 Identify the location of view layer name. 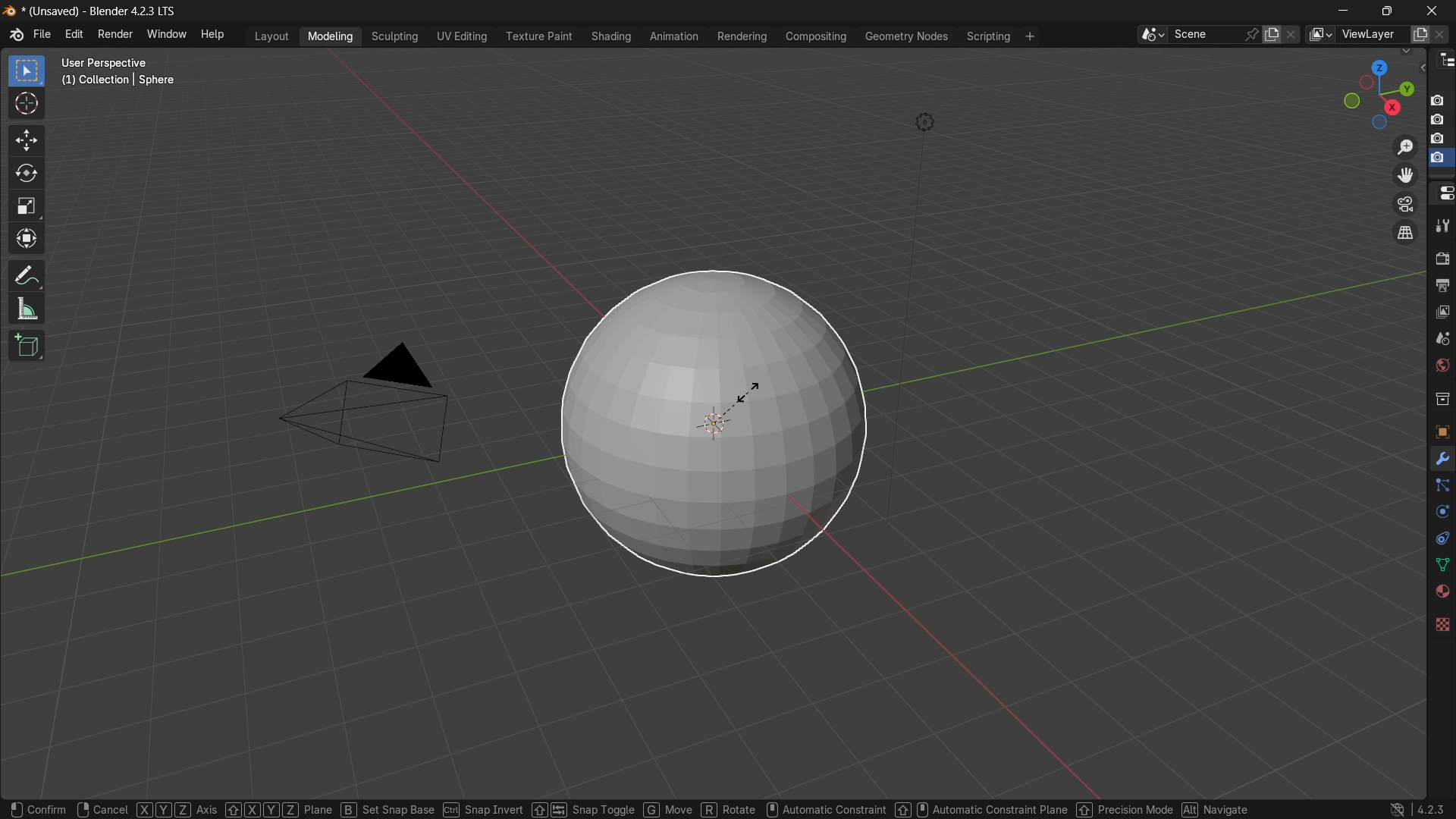
(1374, 36).